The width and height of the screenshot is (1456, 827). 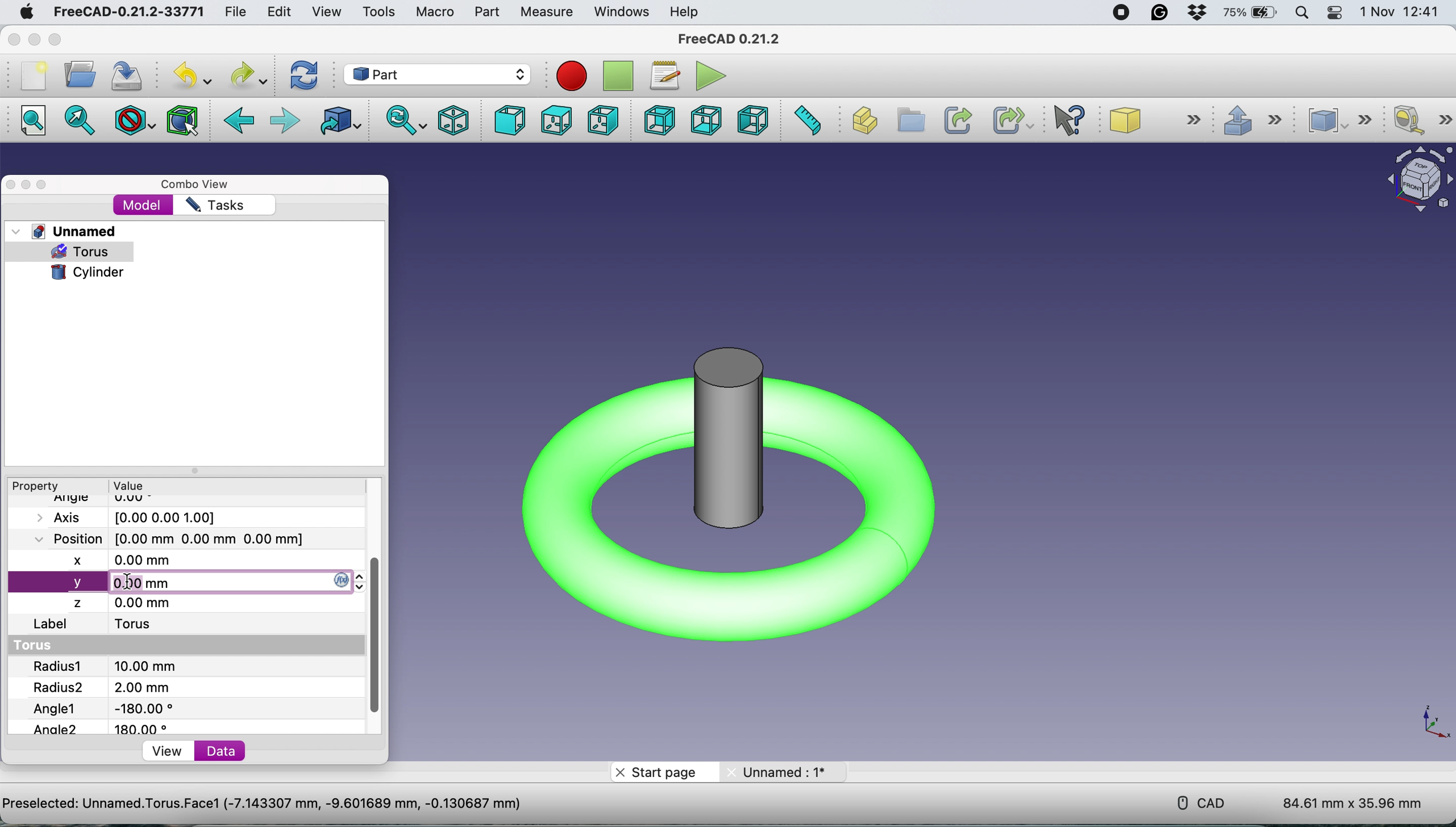 I want to click on freecad, so click(x=124, y=12).